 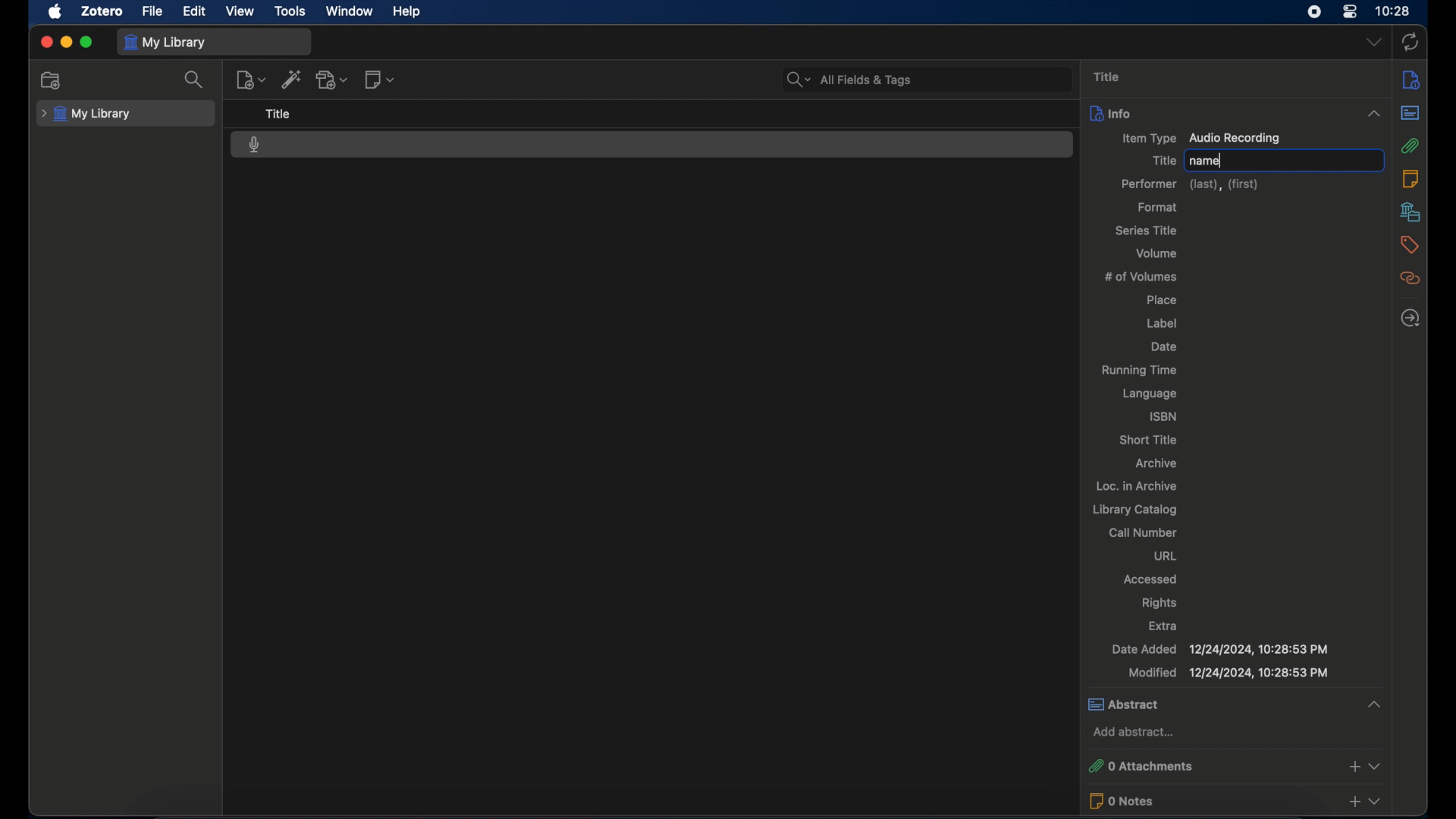 I want to click on locate, so click(x=1411, y=318).